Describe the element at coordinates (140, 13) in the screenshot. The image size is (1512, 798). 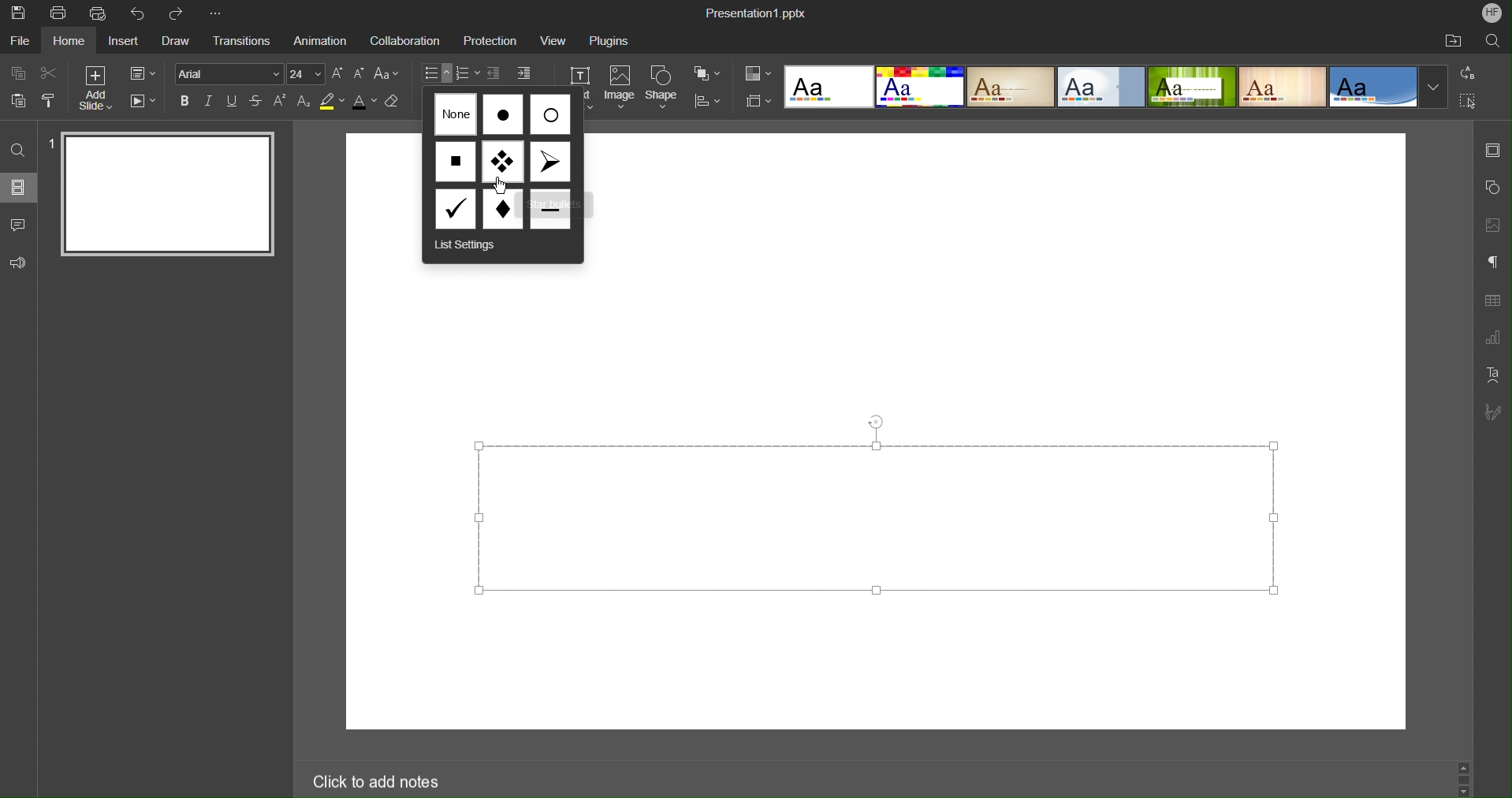
I see `Undo ` at that location.